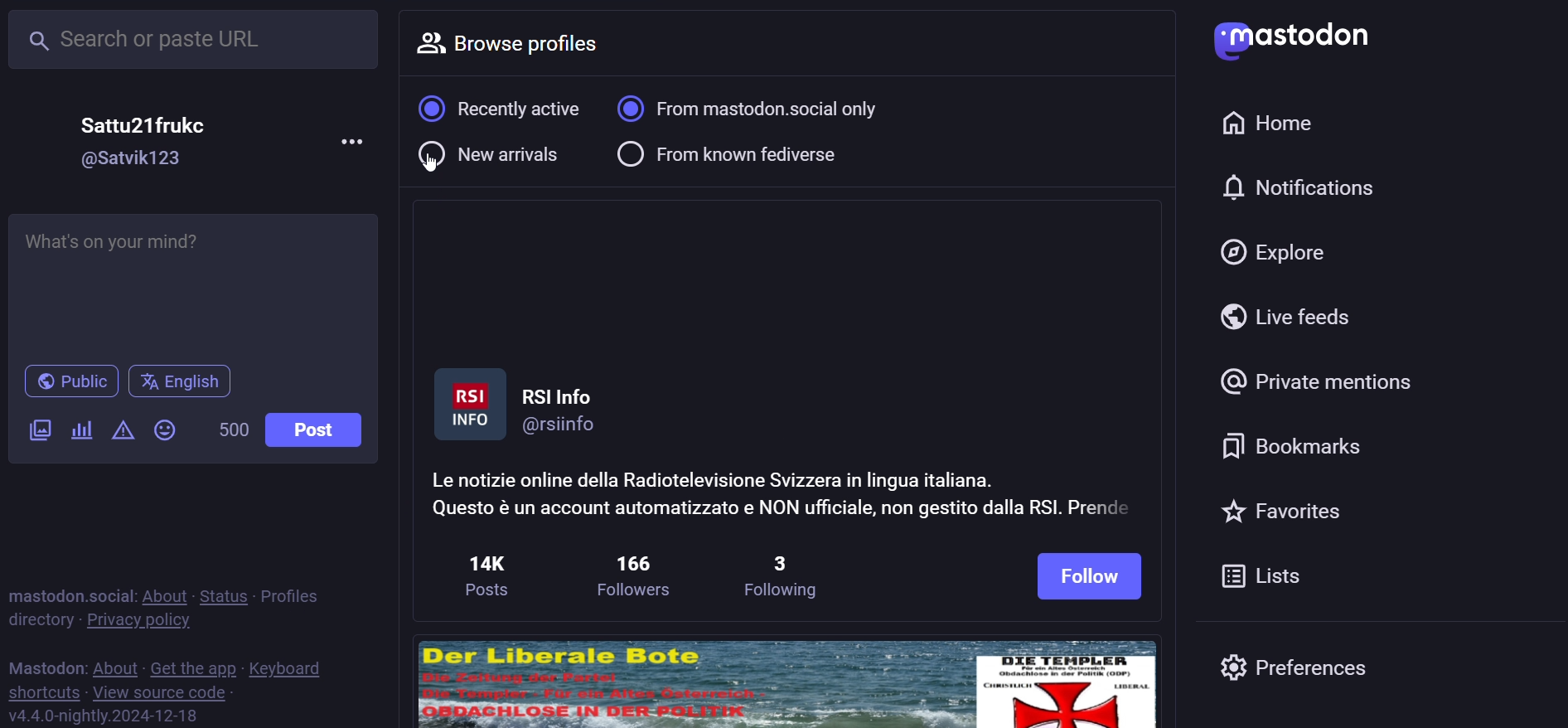  What do you see at coordinates (100, 715) in the screenshot?
I see `v4.4.0-nightly.2024-12-18` at bounding box center [100, 715].